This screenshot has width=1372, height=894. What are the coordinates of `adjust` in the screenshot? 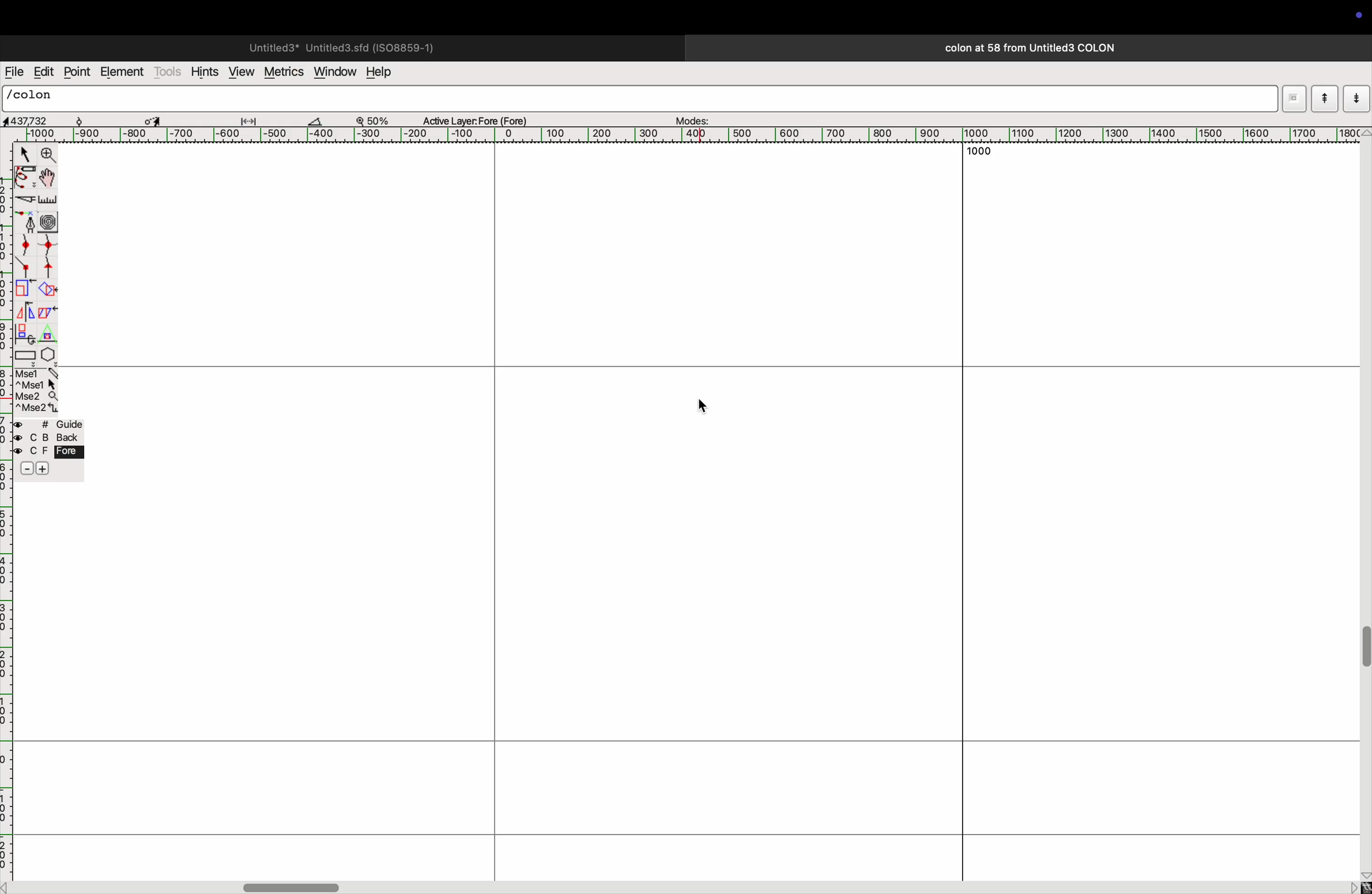 It's located at (253, 118).